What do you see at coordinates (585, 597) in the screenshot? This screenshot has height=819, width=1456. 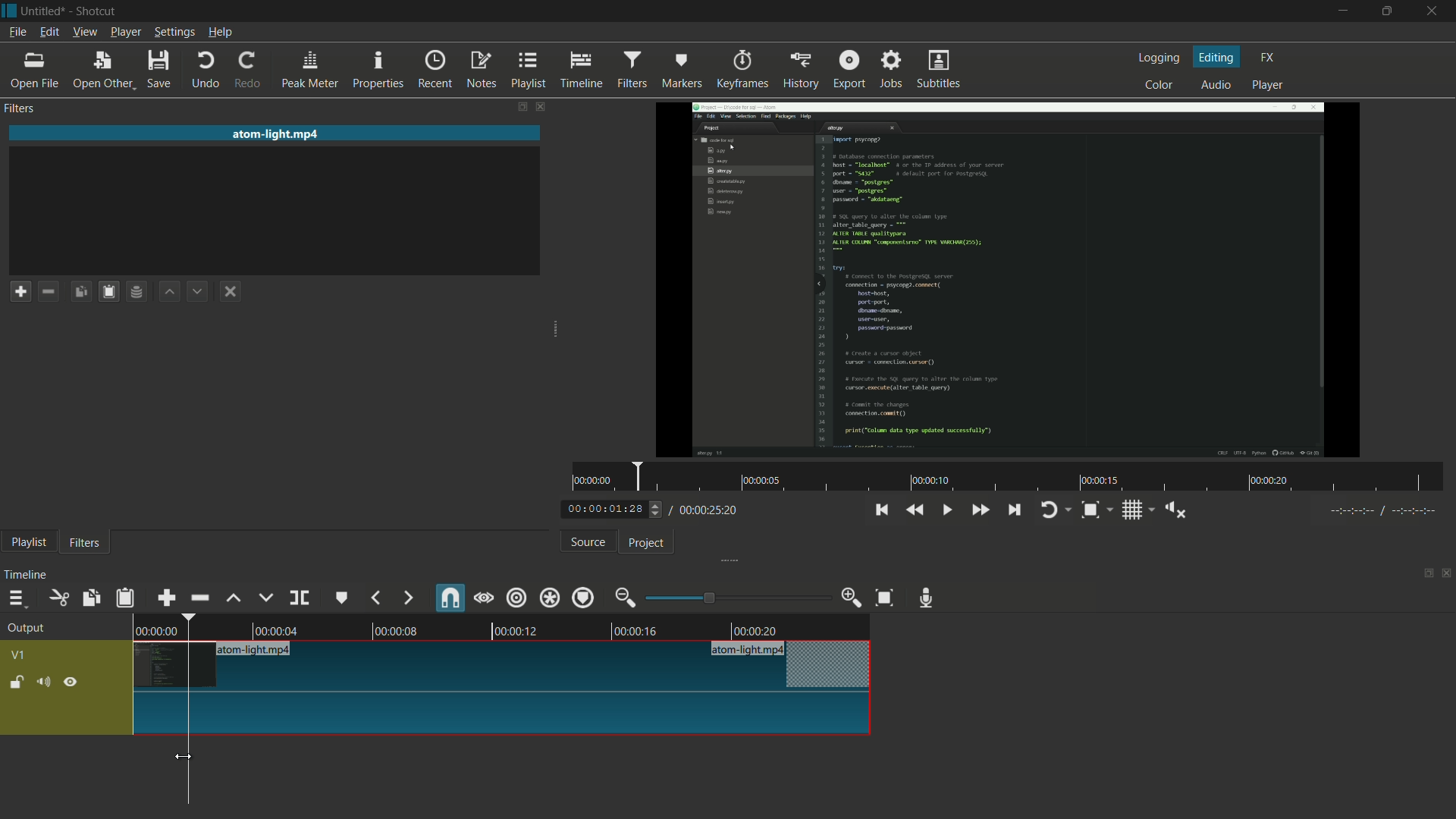 I see `ripple markers` at bounding box center [585, 597].